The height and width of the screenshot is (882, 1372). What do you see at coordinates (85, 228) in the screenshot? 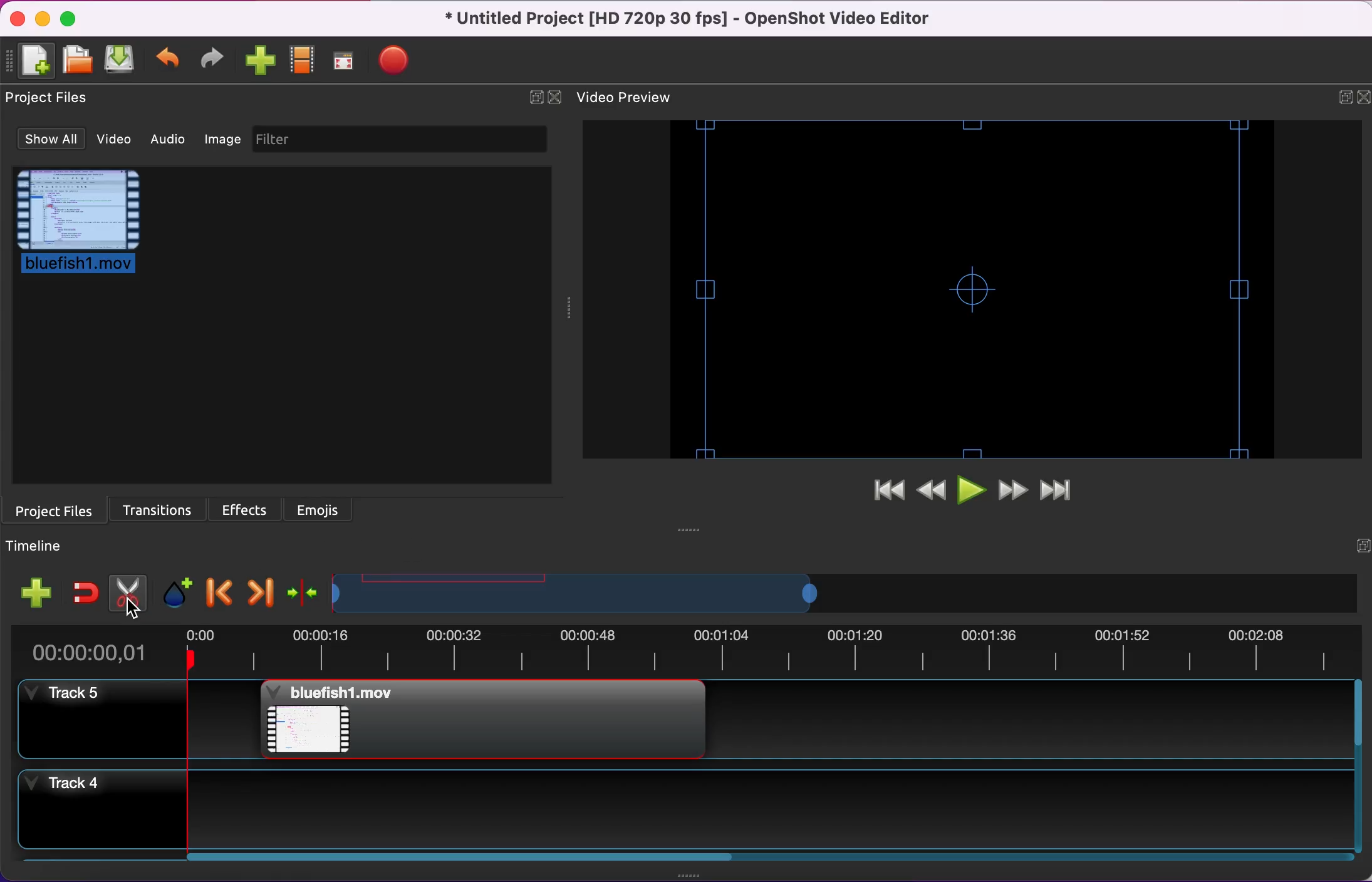
I see `file` at bounding box center [85, 228].